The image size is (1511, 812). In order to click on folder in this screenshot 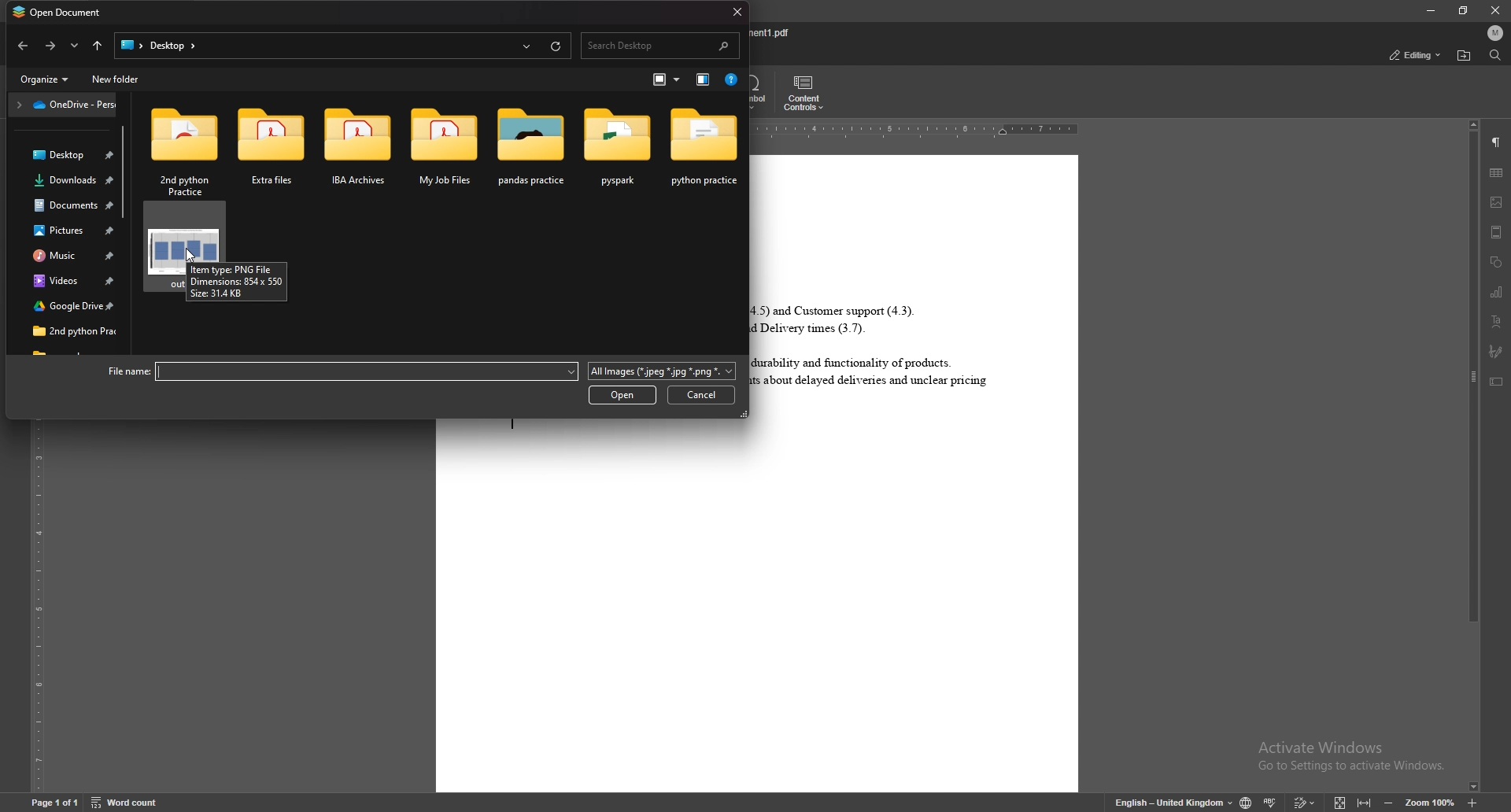, I will do `click(355, 149)`.